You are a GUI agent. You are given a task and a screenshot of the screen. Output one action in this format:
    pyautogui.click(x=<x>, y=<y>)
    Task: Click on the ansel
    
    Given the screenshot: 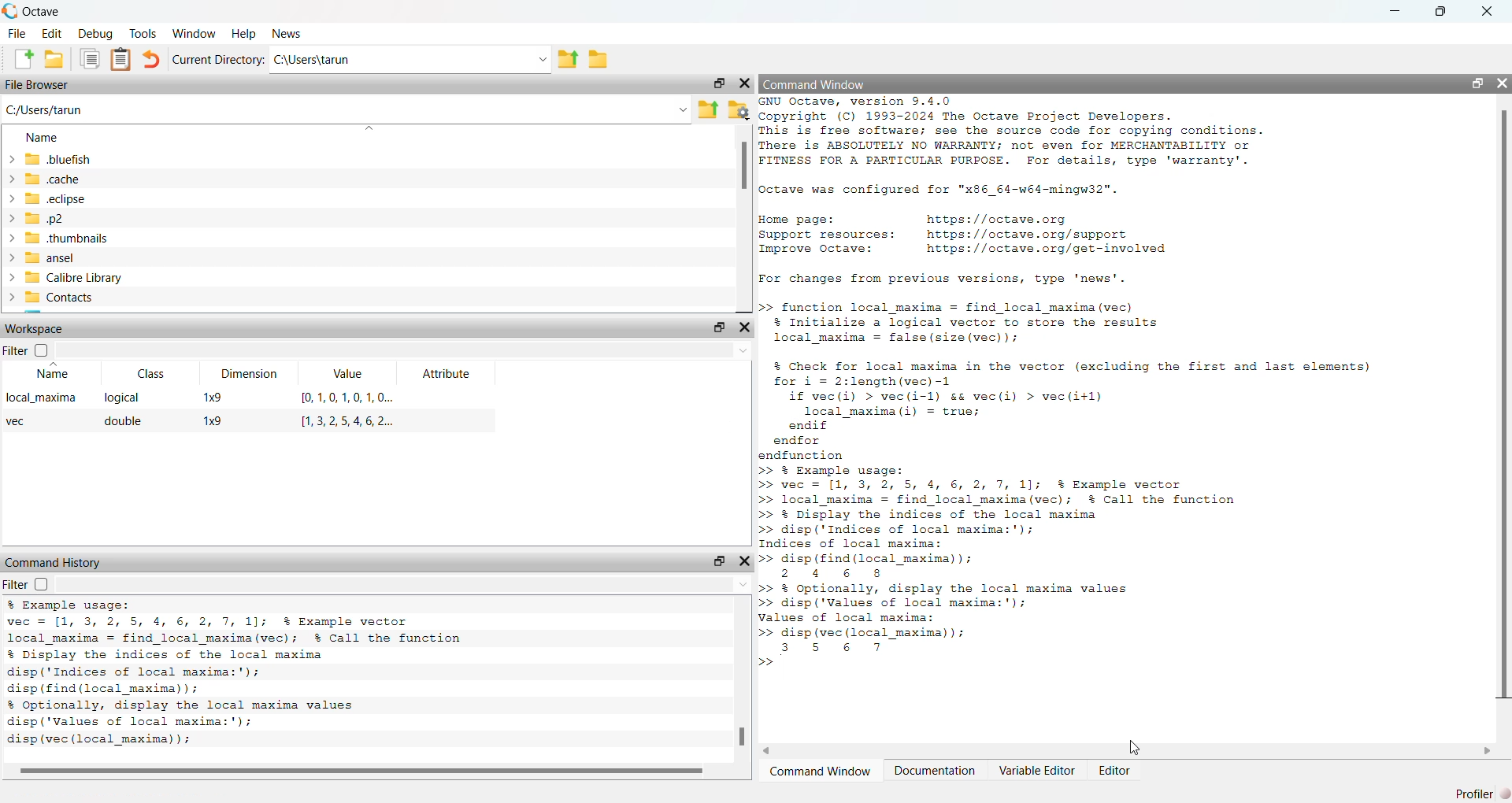 What is the action you would take?
    pyautogui.click(x=52, y=258)
    